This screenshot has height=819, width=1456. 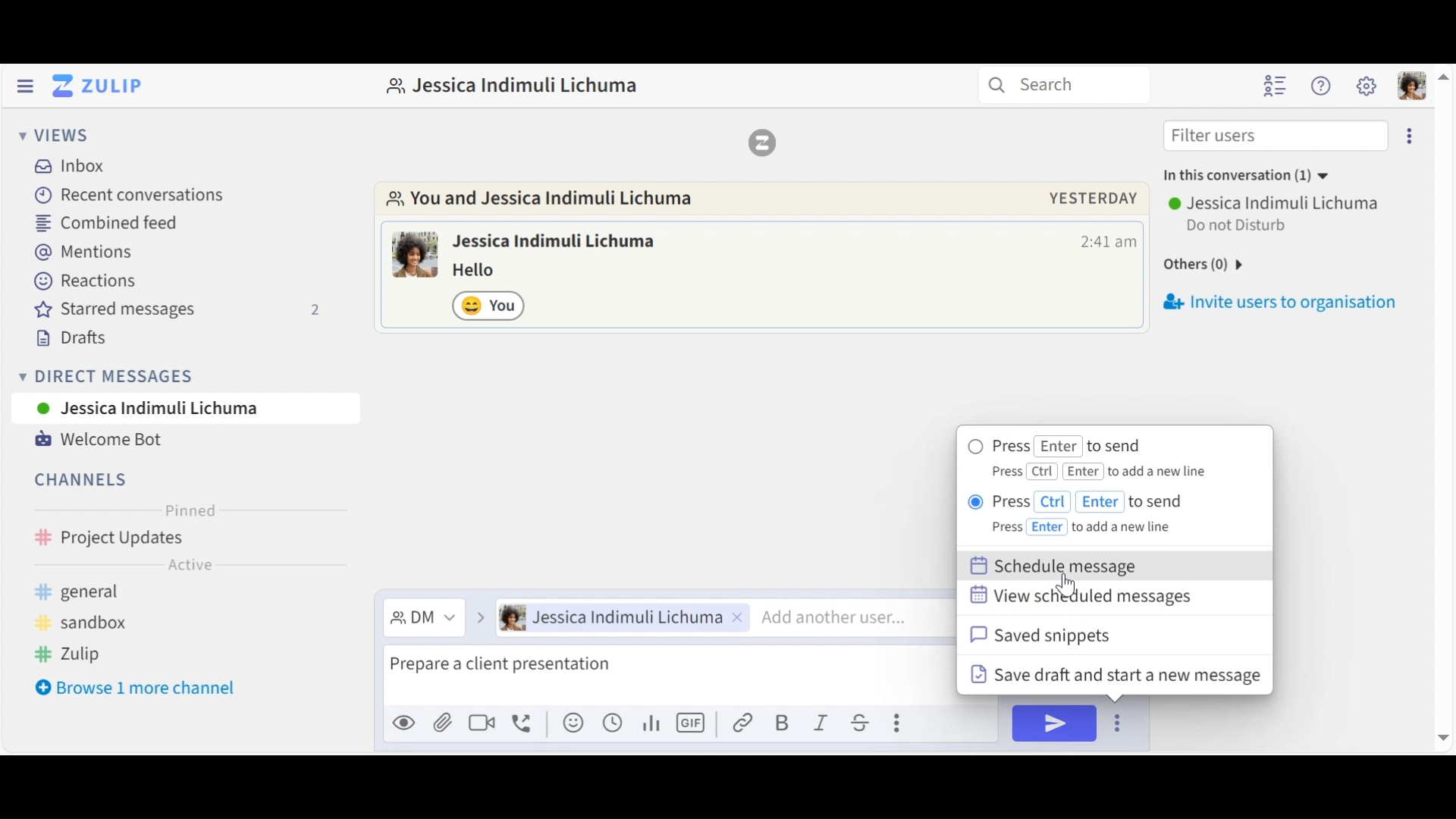 What do you see at coordinates (557, 243) in the screenshot?
I see `View user card` at bounding box center [557, 243].